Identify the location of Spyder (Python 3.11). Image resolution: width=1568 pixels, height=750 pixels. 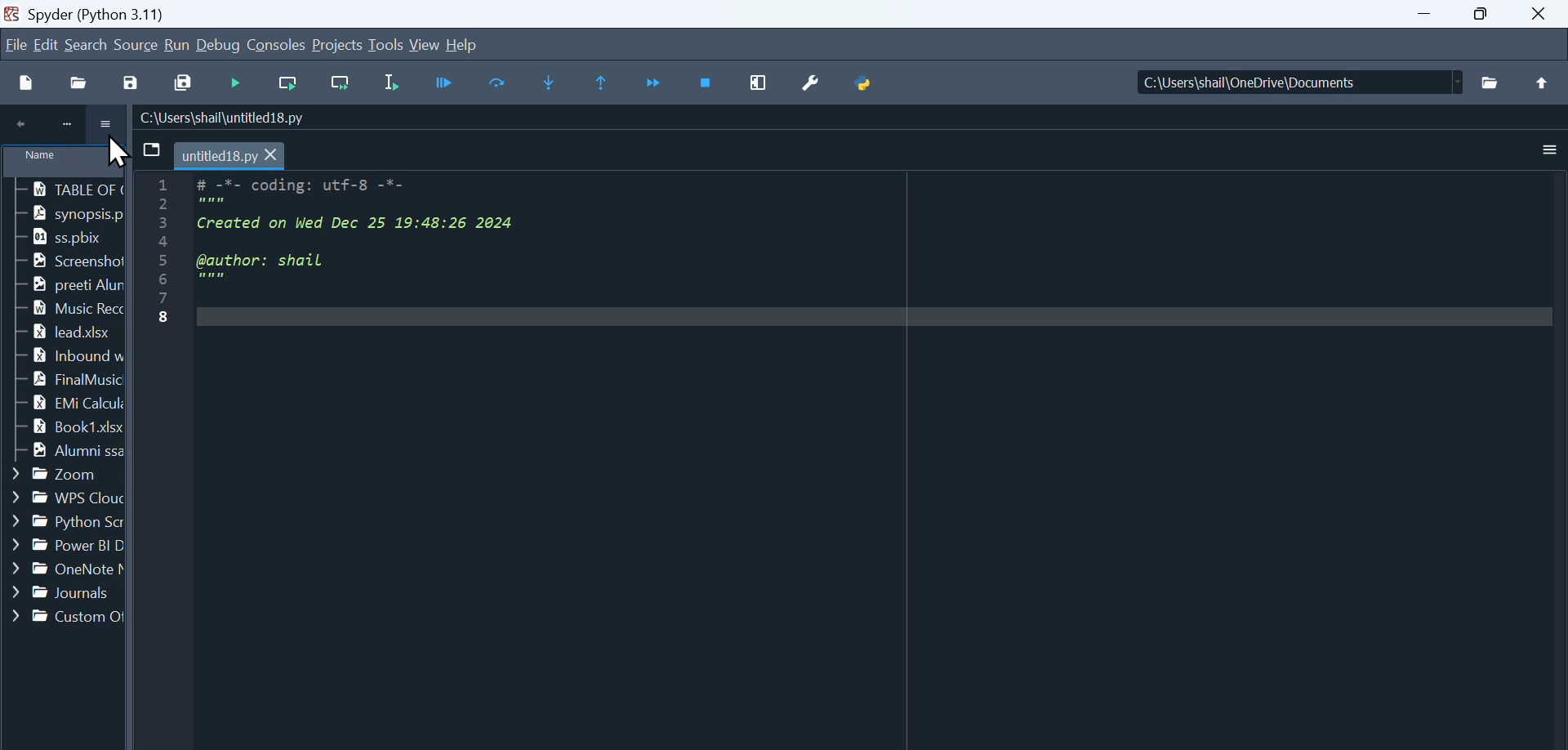
(144, 13).